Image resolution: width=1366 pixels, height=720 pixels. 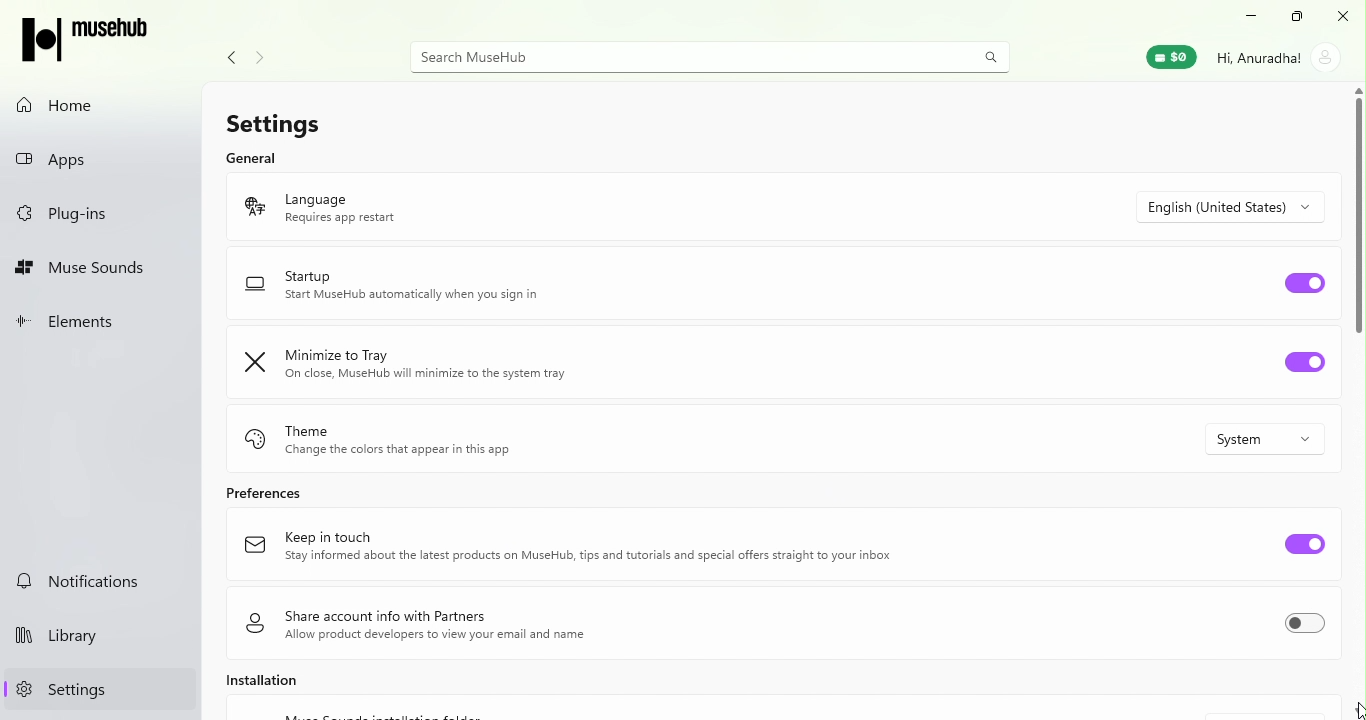 I want to click on Library, so click(x=102, y=637).